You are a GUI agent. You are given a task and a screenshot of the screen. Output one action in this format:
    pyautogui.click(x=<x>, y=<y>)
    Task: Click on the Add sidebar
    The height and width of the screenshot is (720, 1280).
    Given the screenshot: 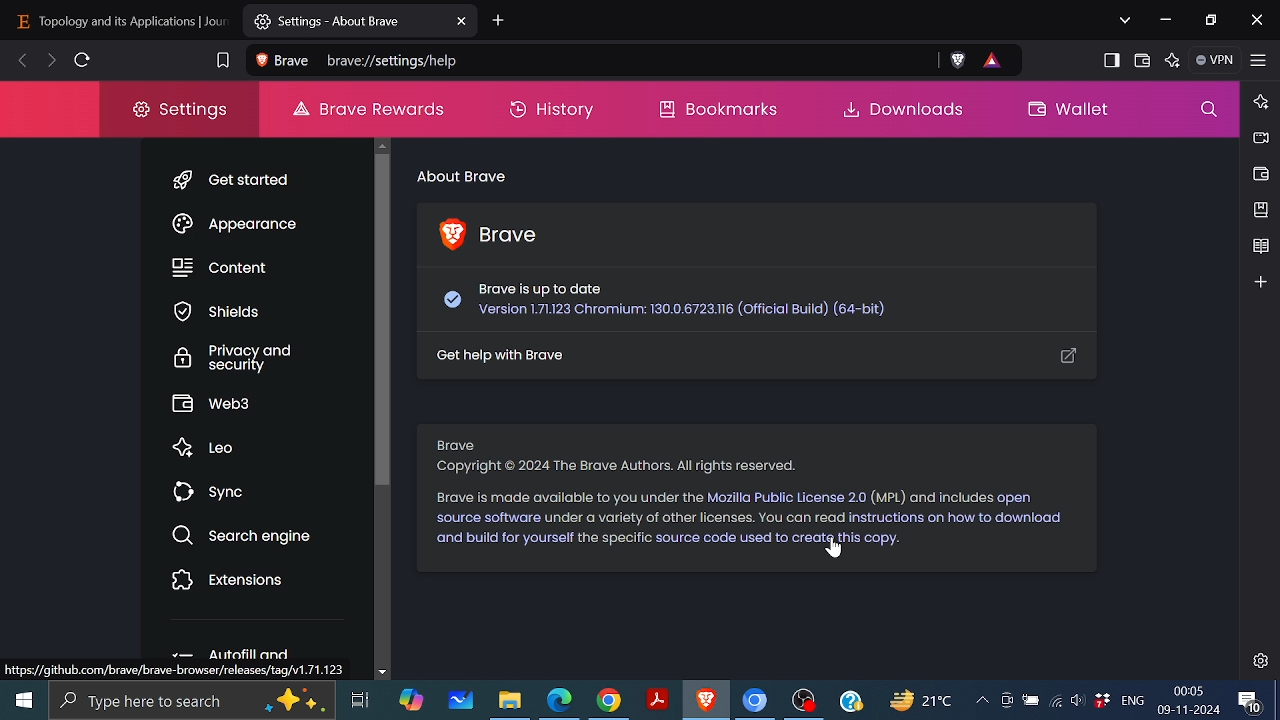 What is the action you would take?
    pyautogui.click(x=1261, y=281)
    